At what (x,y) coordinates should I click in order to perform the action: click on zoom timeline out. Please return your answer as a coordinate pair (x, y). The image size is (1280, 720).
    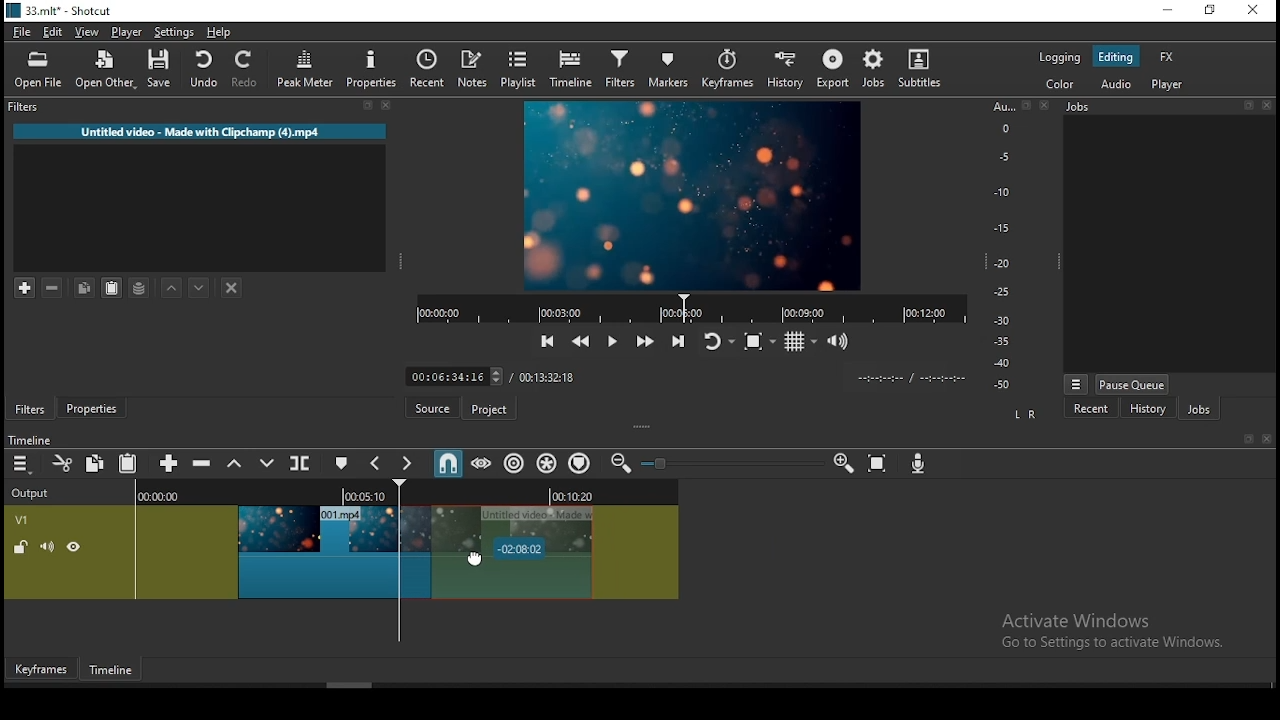
    Looking at the image, I should click on (618, 464).